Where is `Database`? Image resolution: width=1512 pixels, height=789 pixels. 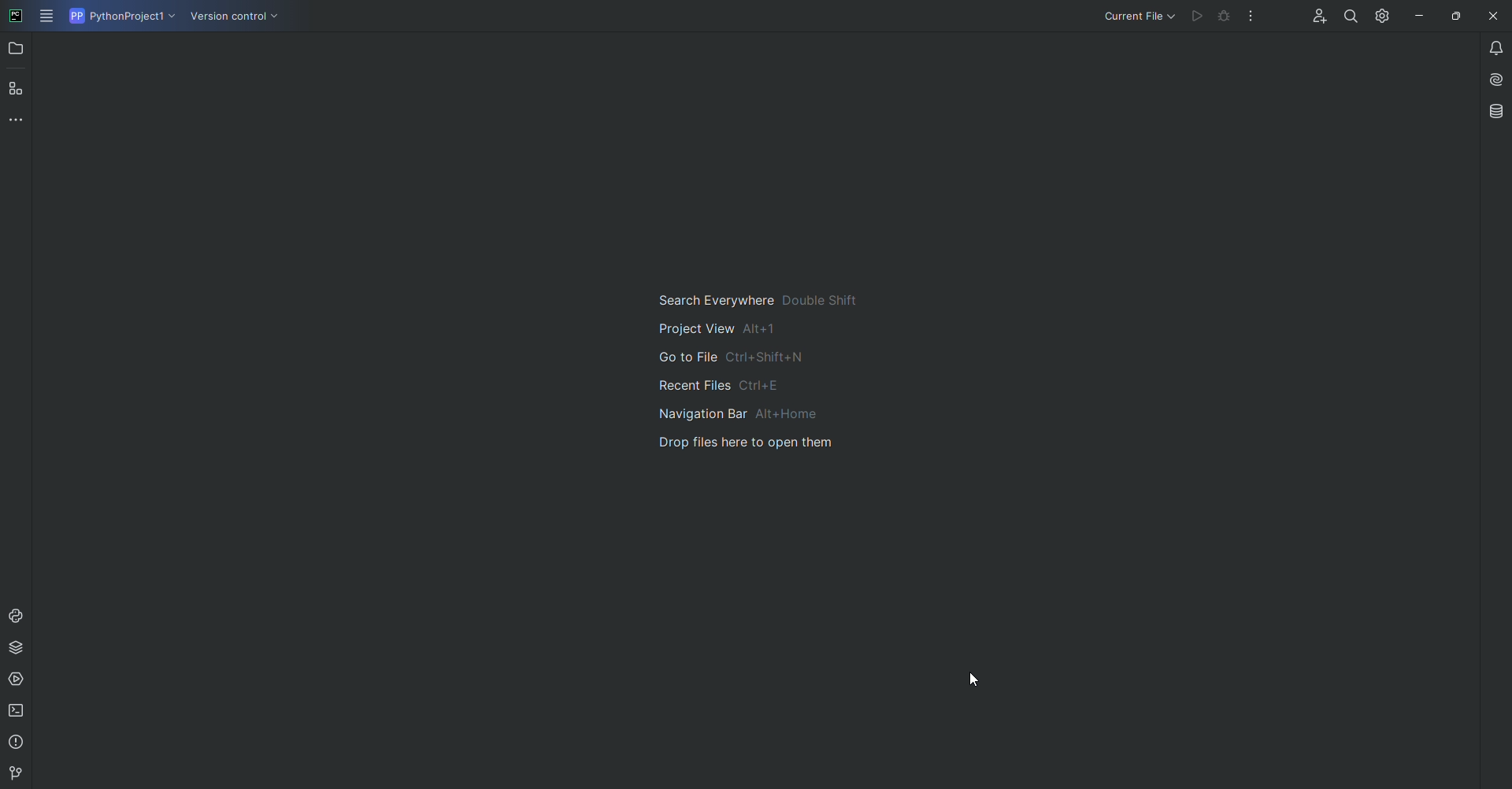 Database is located at coordinates (1495, 111).